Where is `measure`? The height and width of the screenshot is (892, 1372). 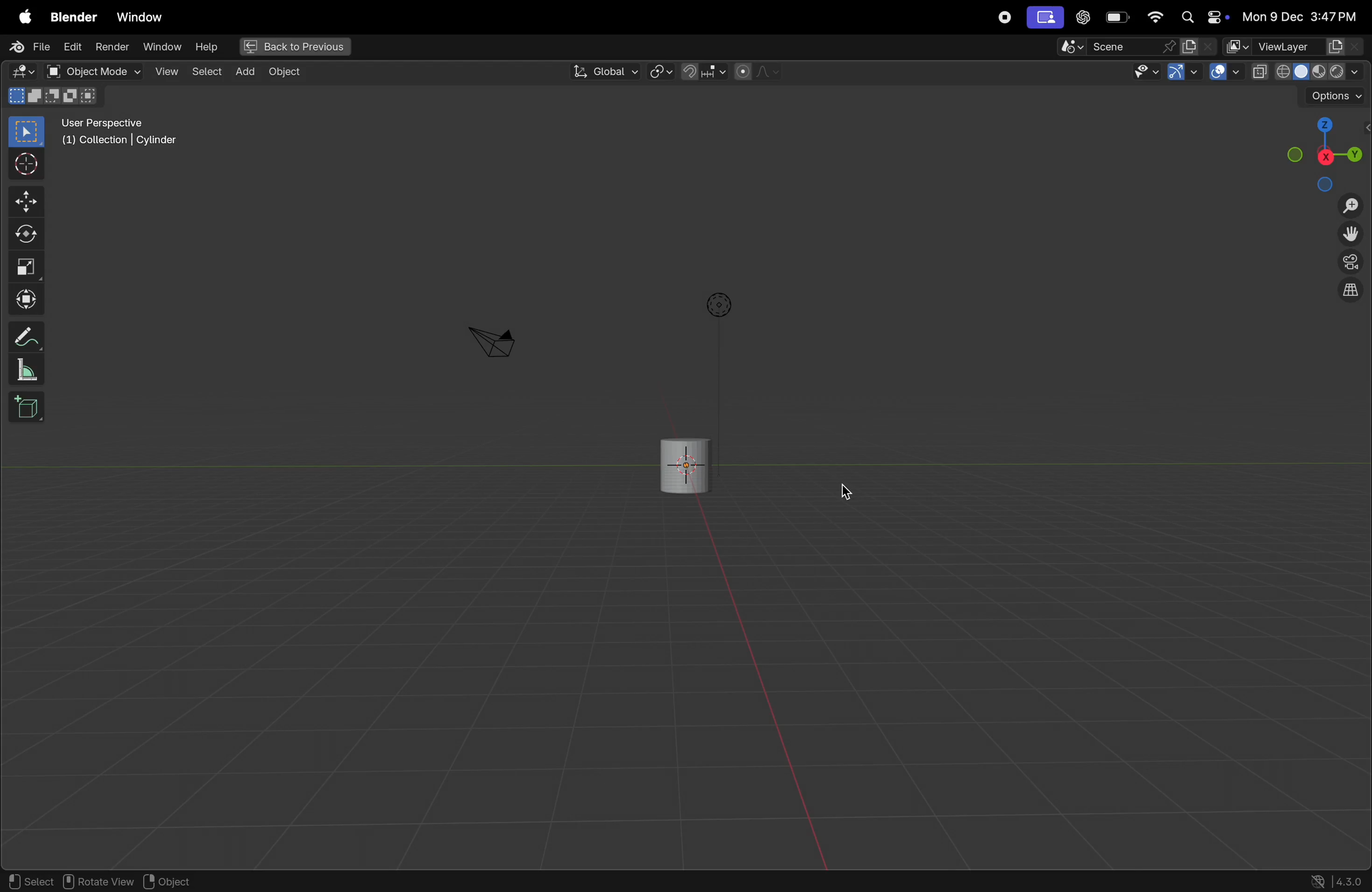
measure is located at coordinates (28, 371).